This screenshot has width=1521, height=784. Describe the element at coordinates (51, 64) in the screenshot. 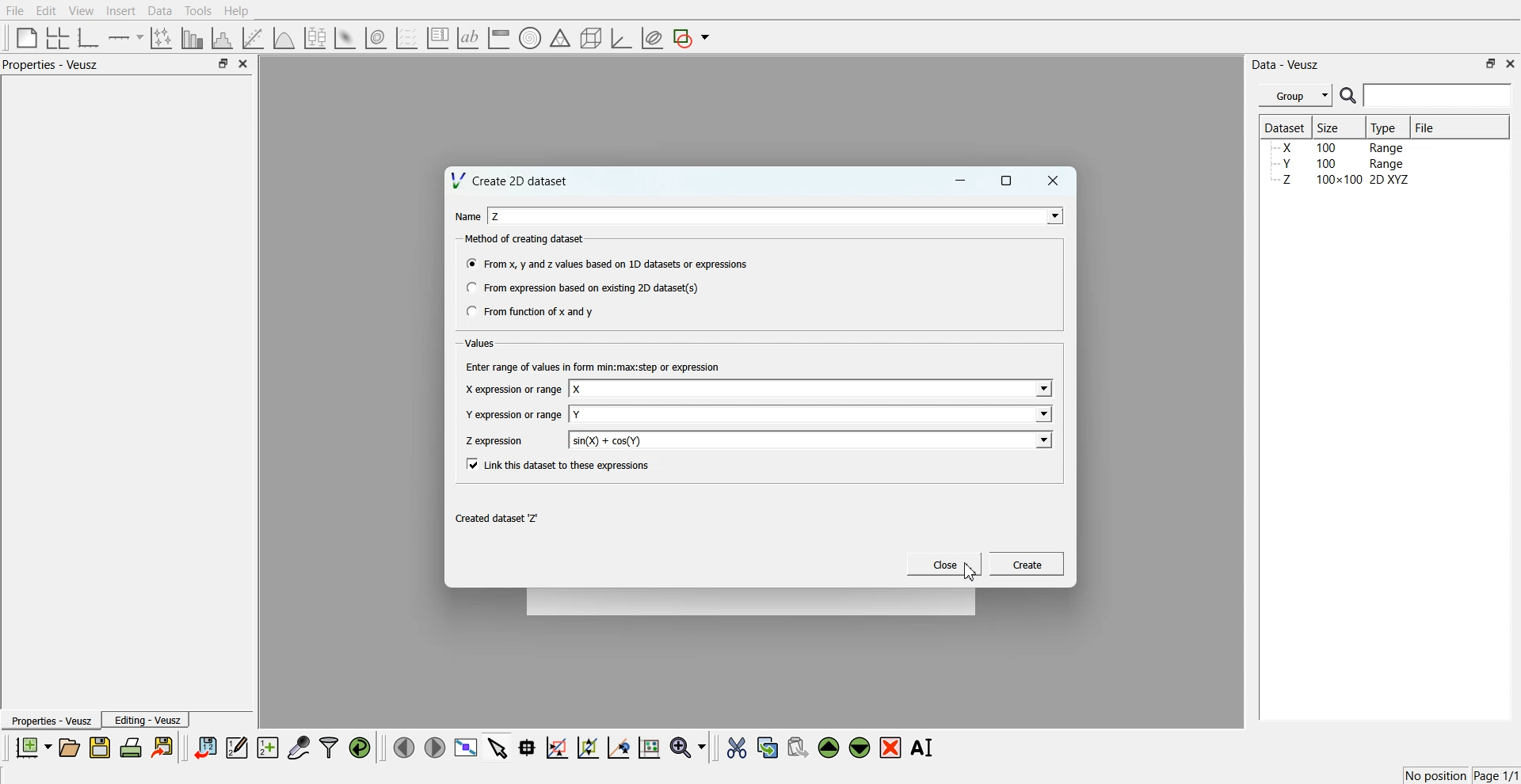

I see `Properties - Veusz` at that location.